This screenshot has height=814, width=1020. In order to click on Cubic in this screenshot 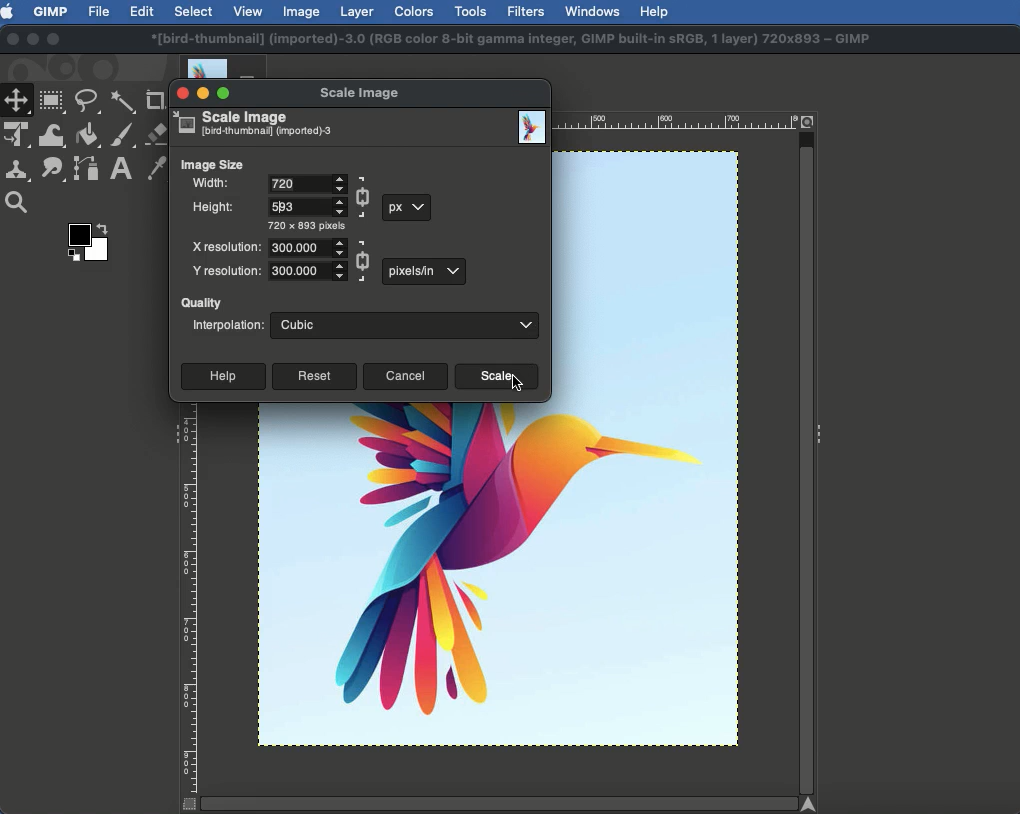, I will do `click(406, 324)`.